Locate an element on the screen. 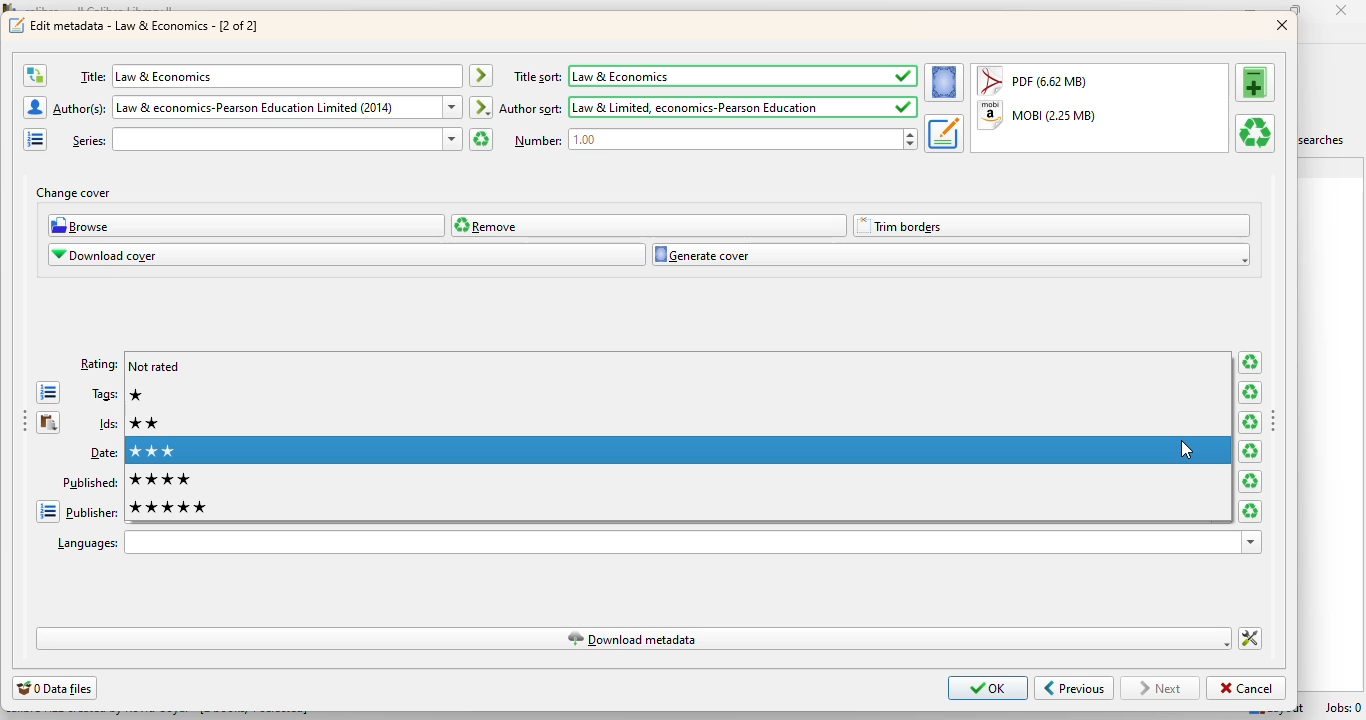 Image resolution: width=1366 pixels, height=720 pixels. tags:  is located at coordinates (104, 394).